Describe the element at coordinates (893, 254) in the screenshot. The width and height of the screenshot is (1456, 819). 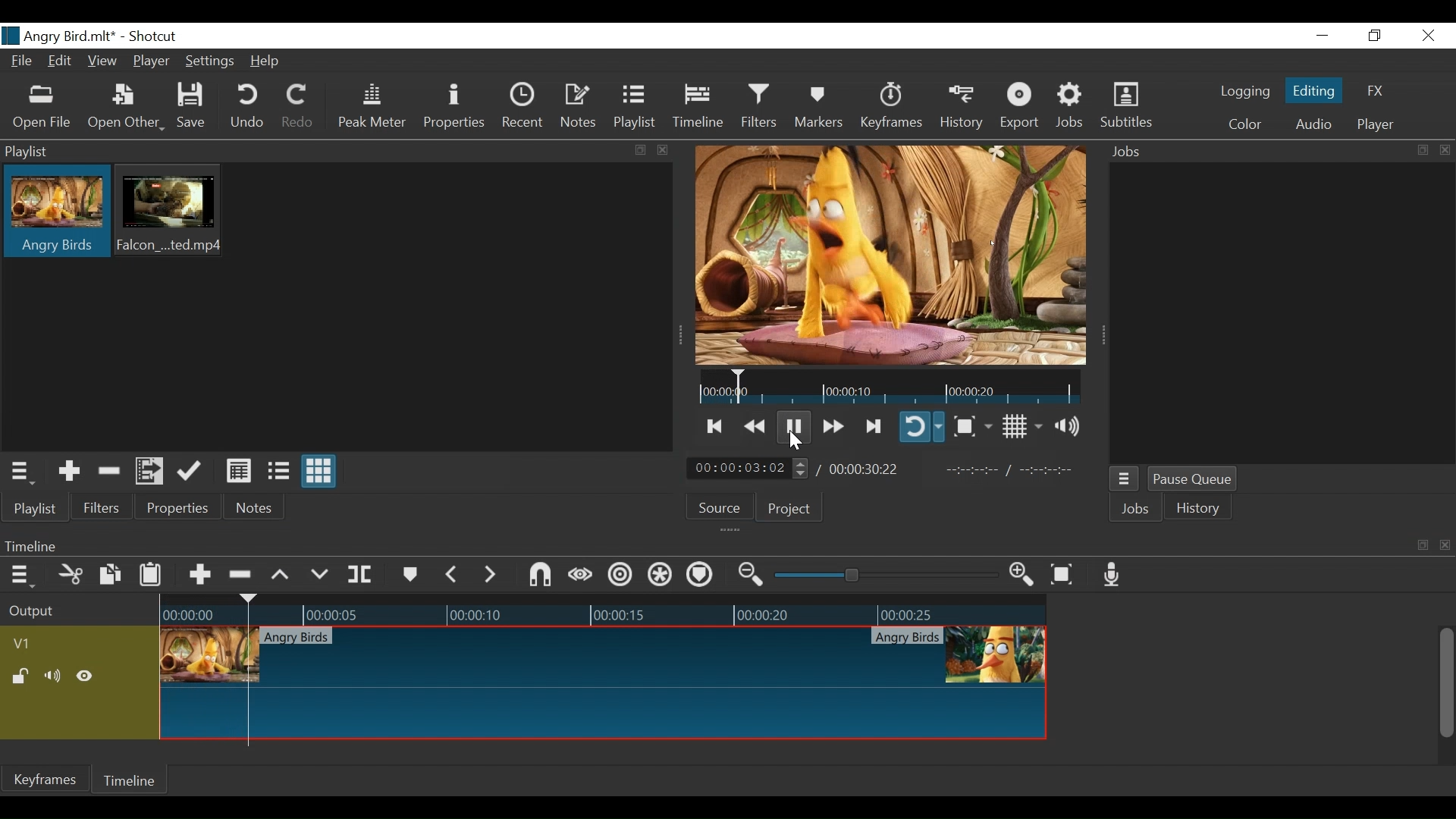
I see `Media Viewer` at that location.